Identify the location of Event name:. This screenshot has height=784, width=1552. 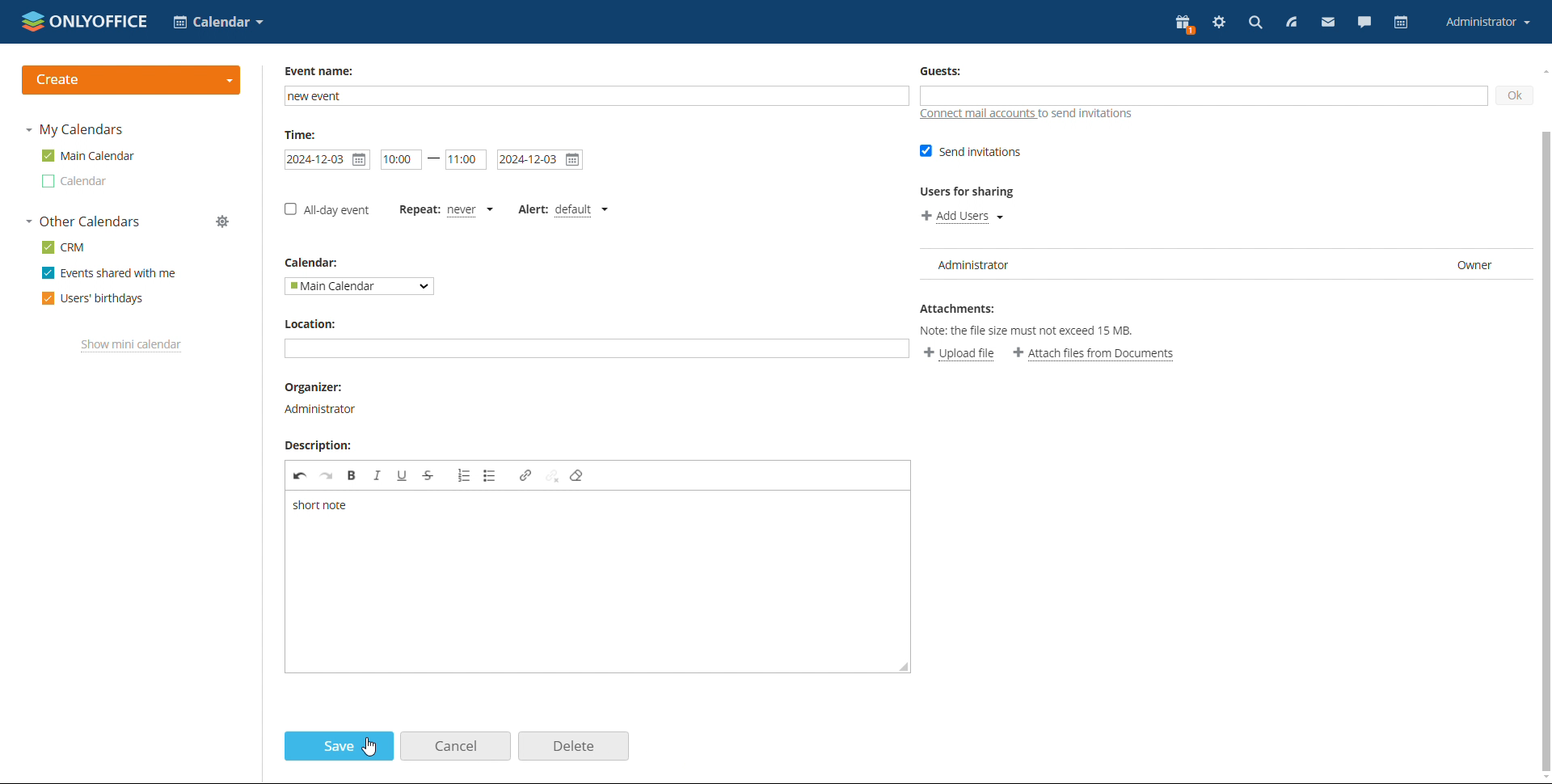
(323, 70).